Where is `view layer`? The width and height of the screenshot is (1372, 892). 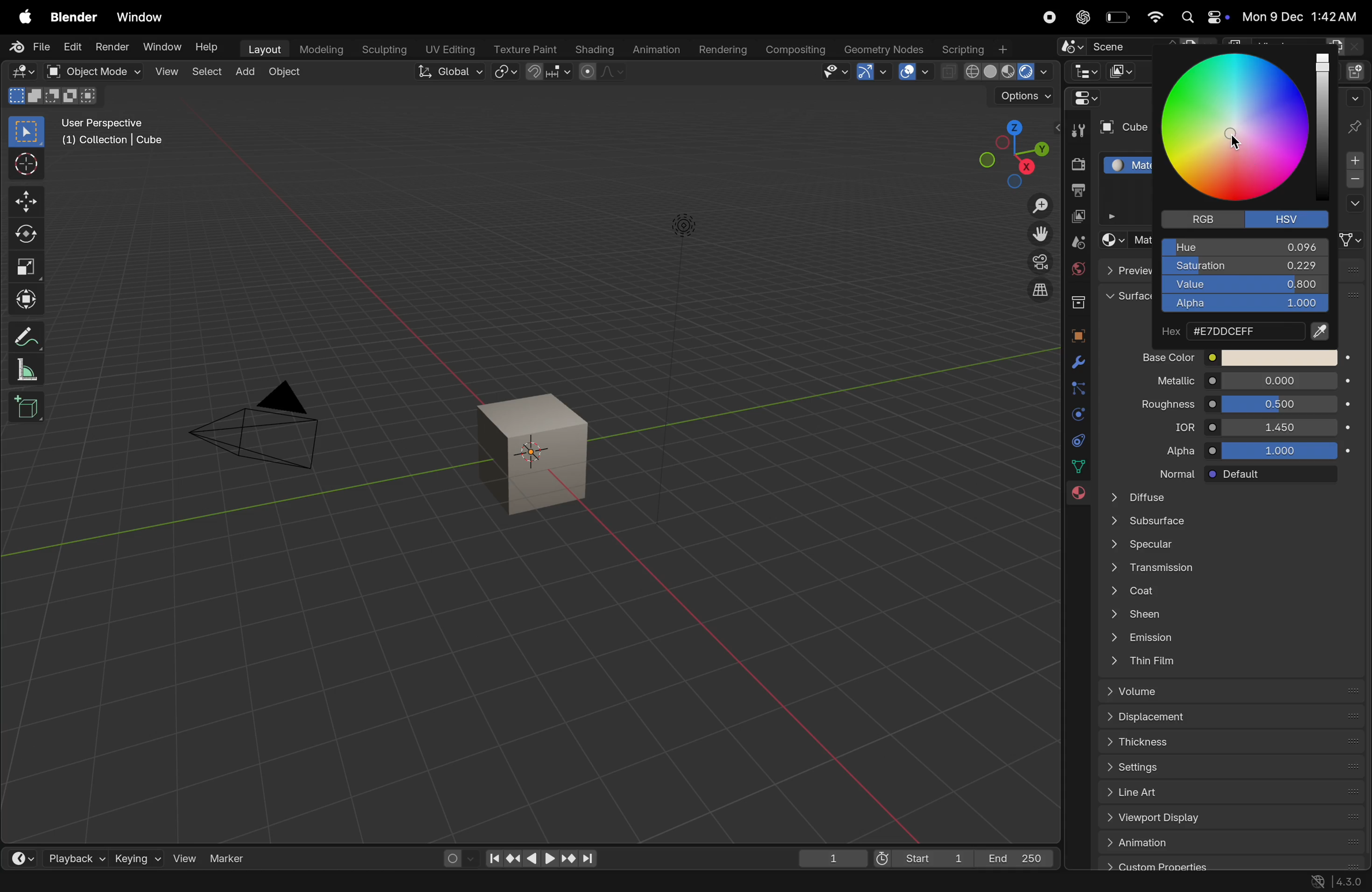
view layer is located at coordinates (1076, 218).